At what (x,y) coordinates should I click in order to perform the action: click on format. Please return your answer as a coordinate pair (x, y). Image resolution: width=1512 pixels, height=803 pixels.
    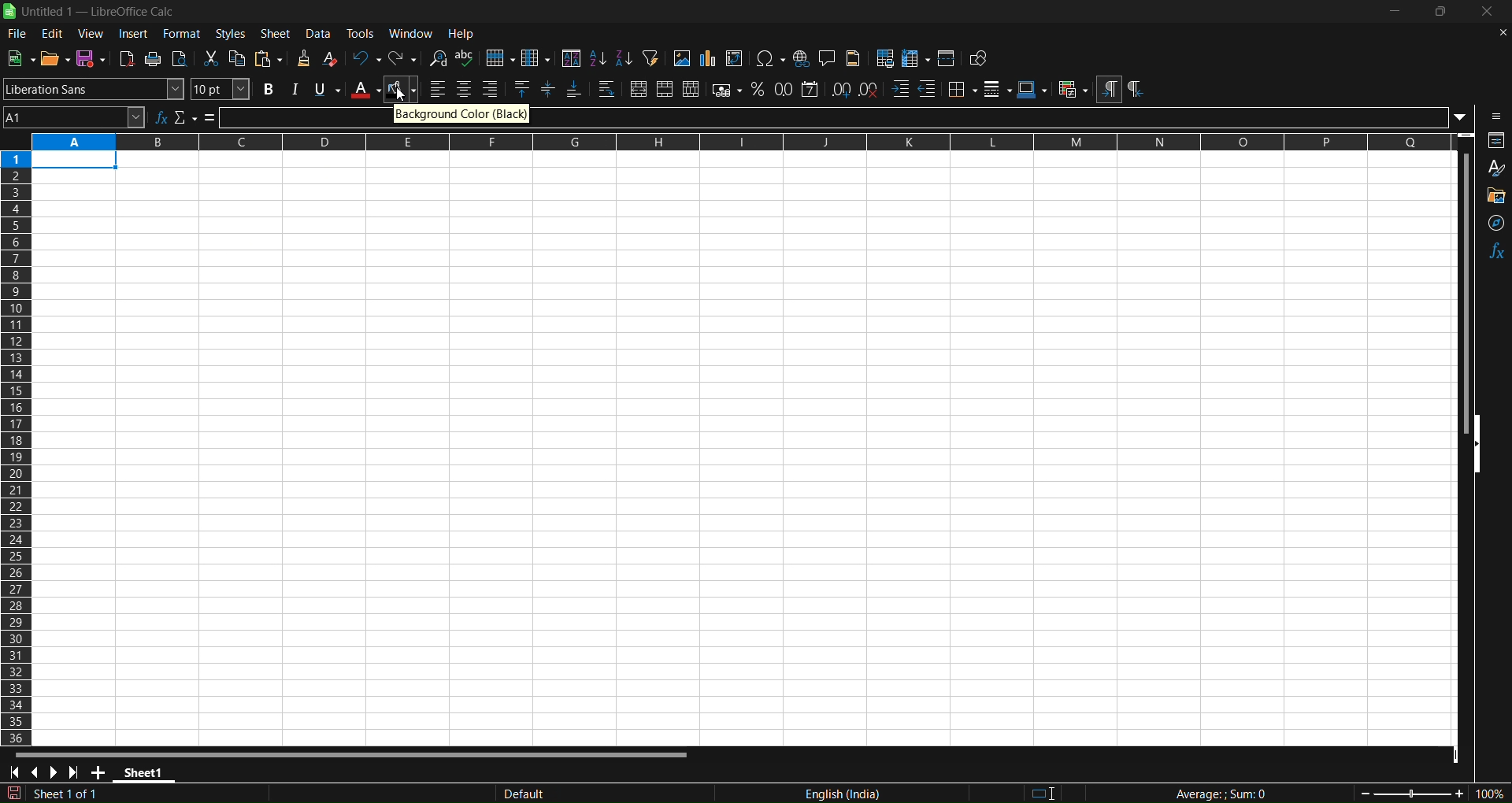
    Looking at the image, I should click on (182, 34).